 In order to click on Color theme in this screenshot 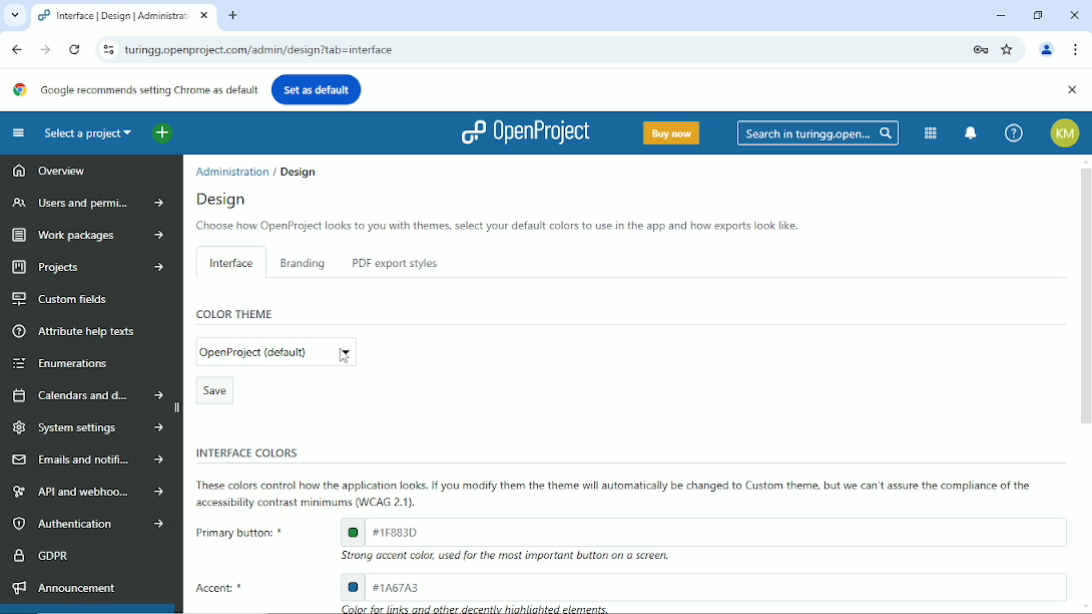, I will do `click(236, 314)`.